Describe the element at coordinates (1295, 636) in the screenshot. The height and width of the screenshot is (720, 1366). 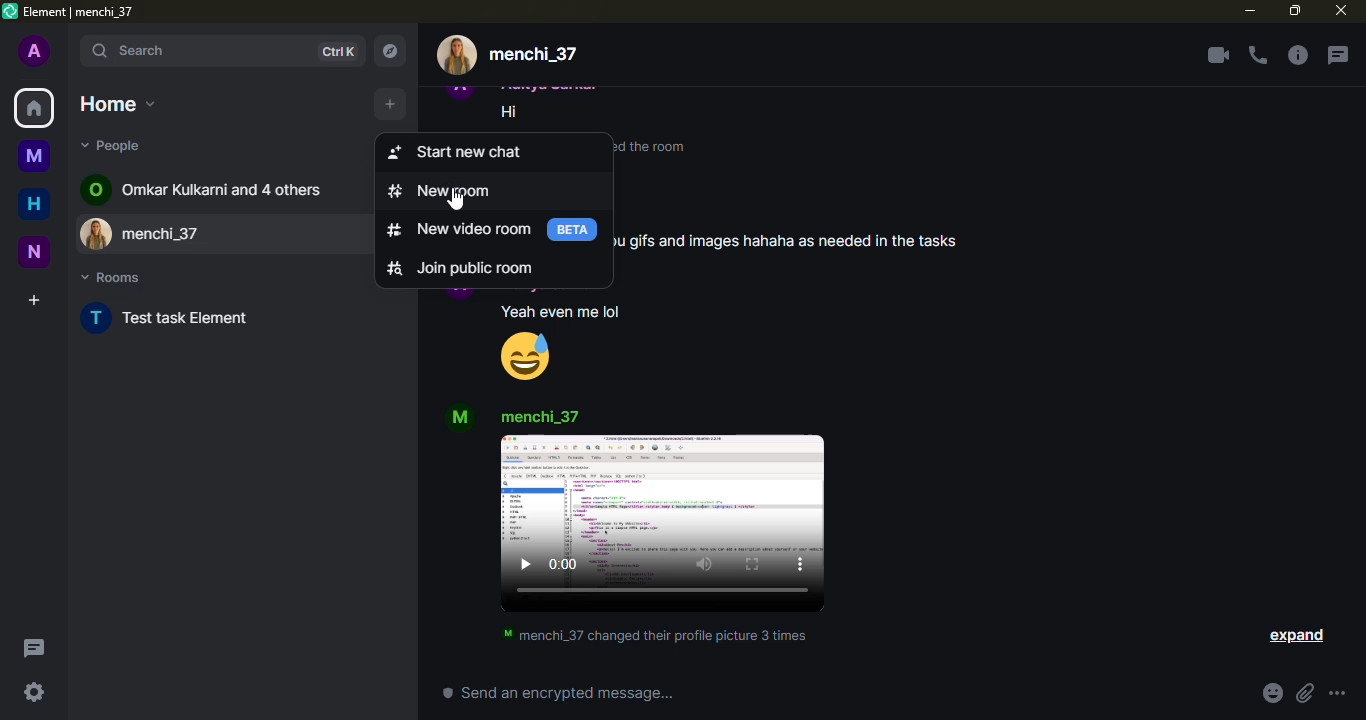
I see `expand` at that location.